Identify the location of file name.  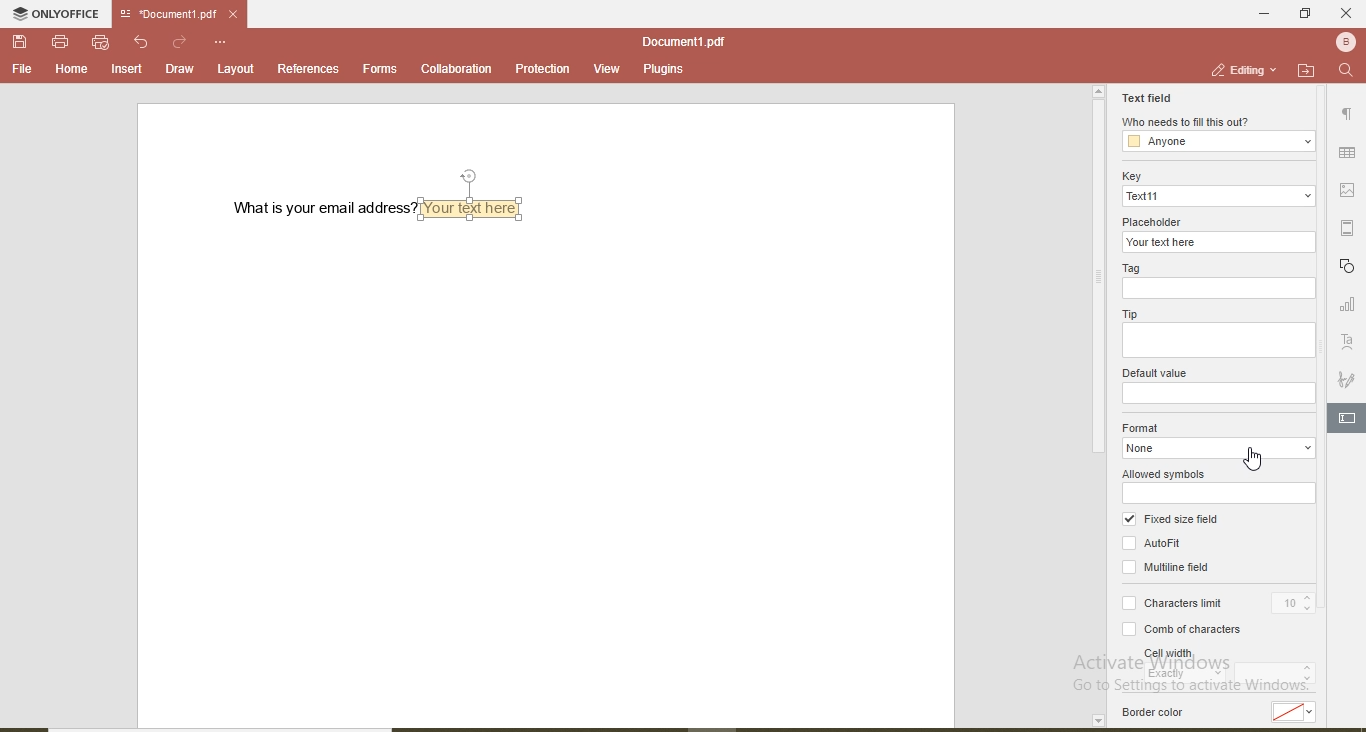
(683, 41).